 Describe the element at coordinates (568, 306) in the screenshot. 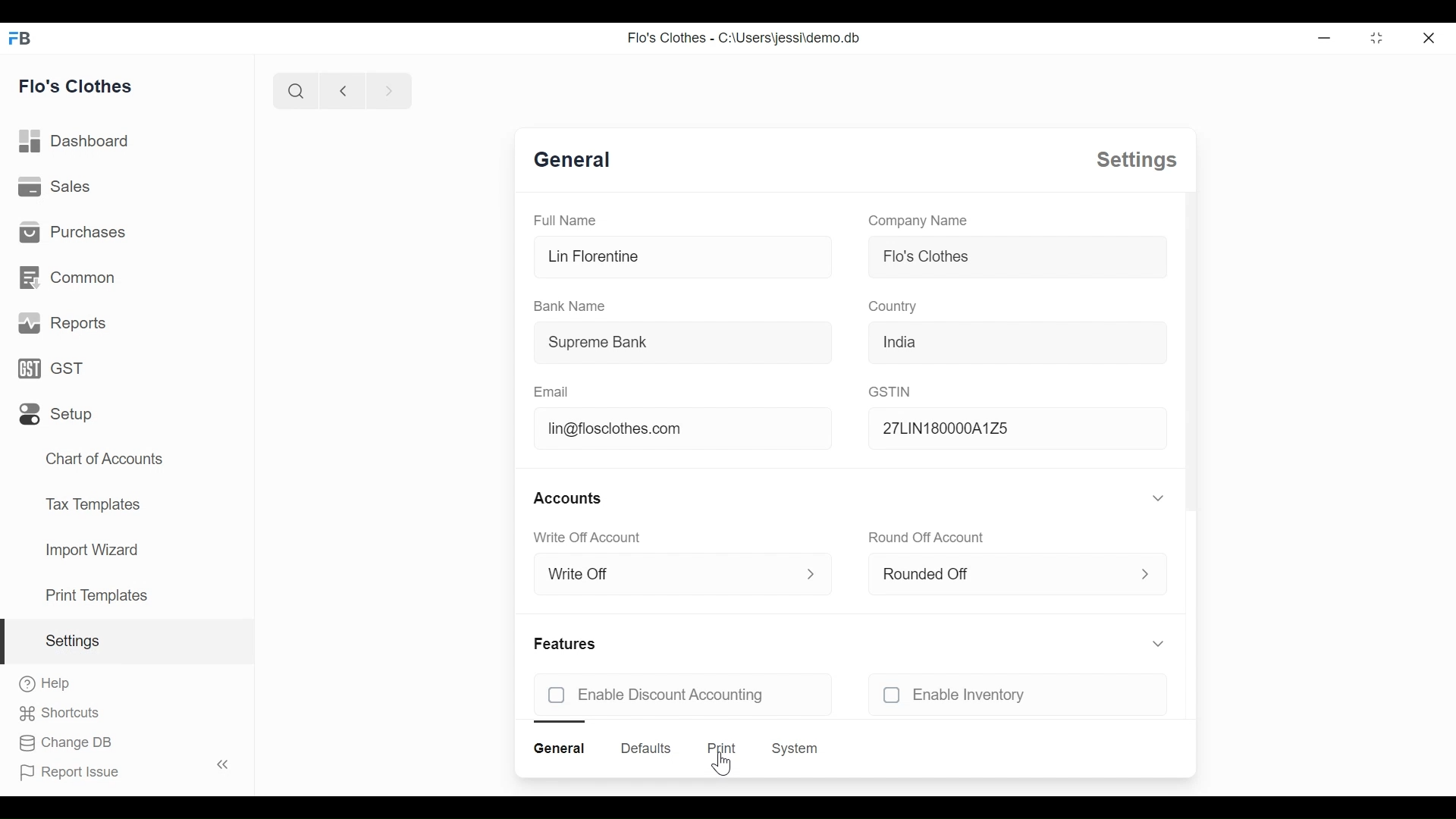

I see `bank name` at that location.